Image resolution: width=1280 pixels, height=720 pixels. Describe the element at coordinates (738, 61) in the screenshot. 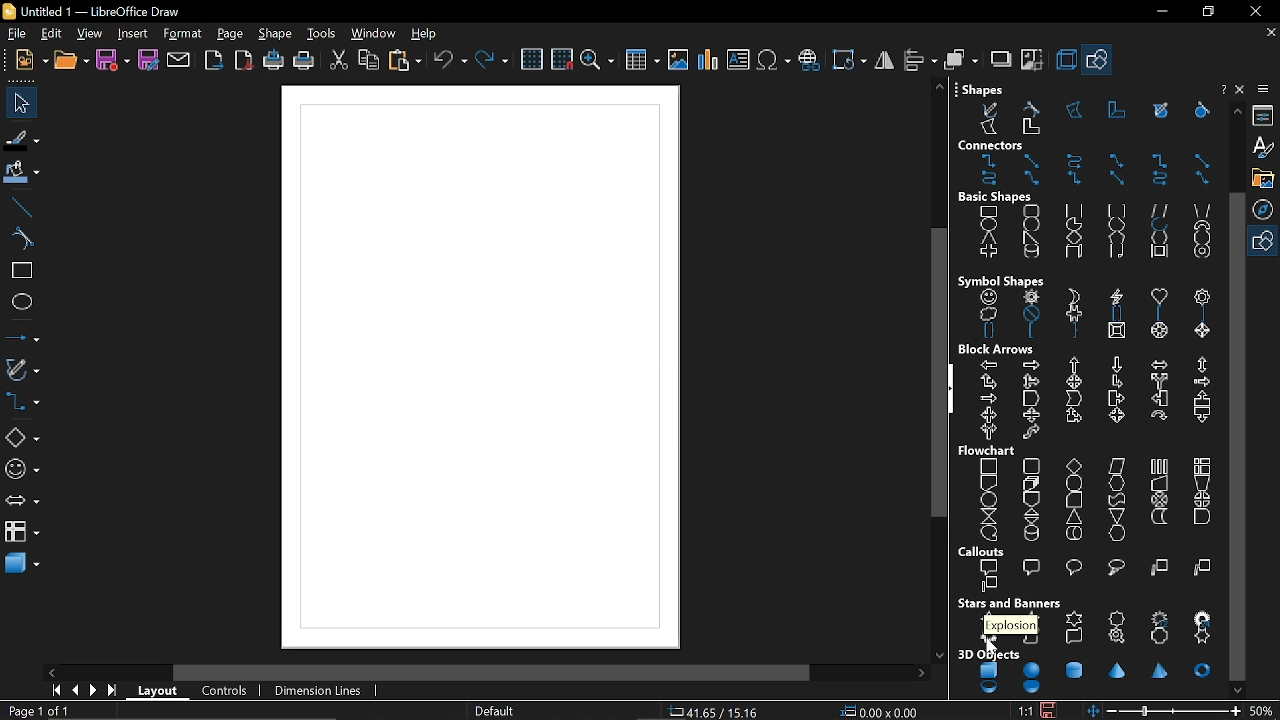

I see `Insert text` at that location.